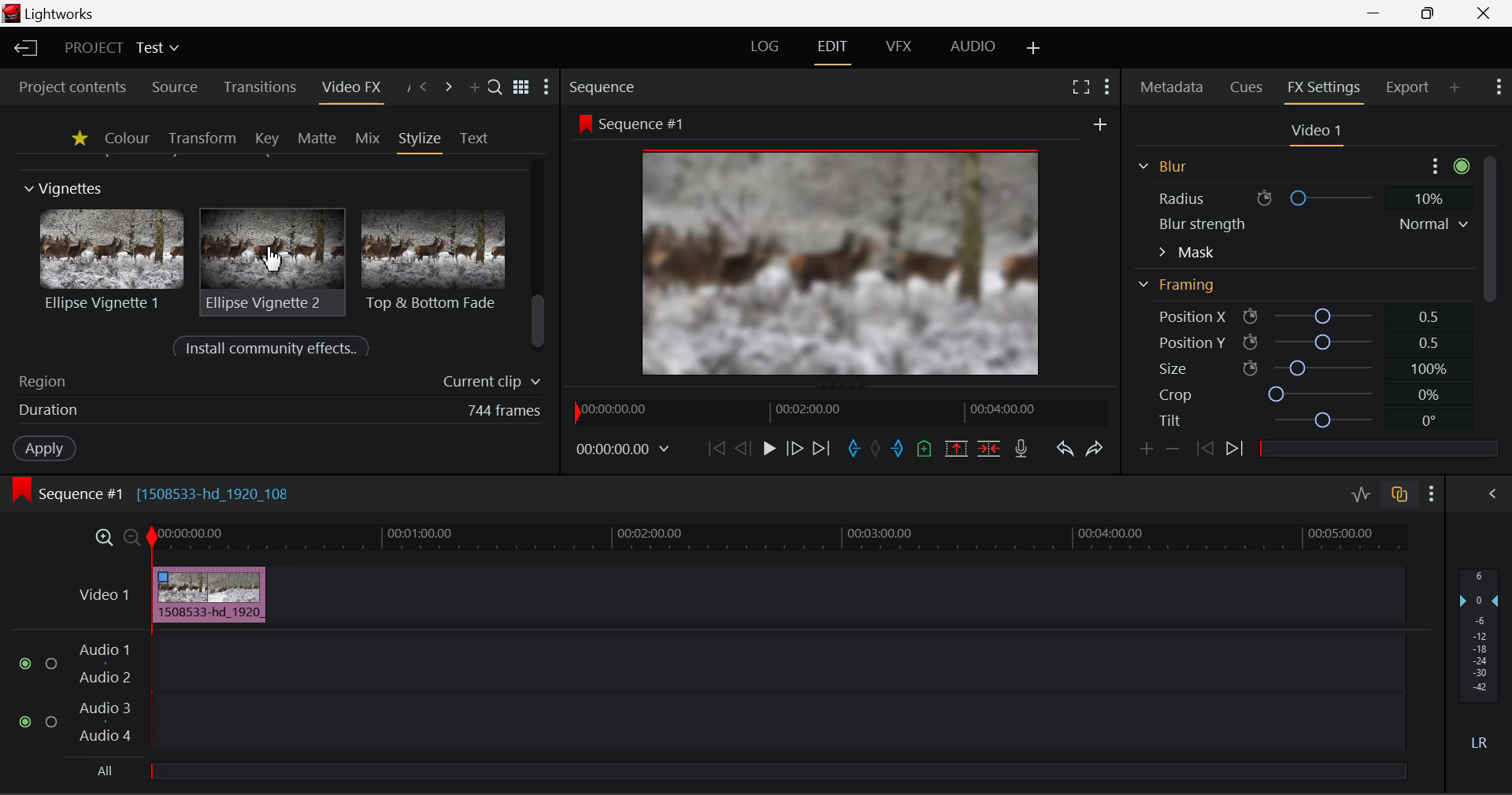 The width and height of the screenshot is (1512, 795). I want to click on Sequence Preview Section, so click(606, 86).